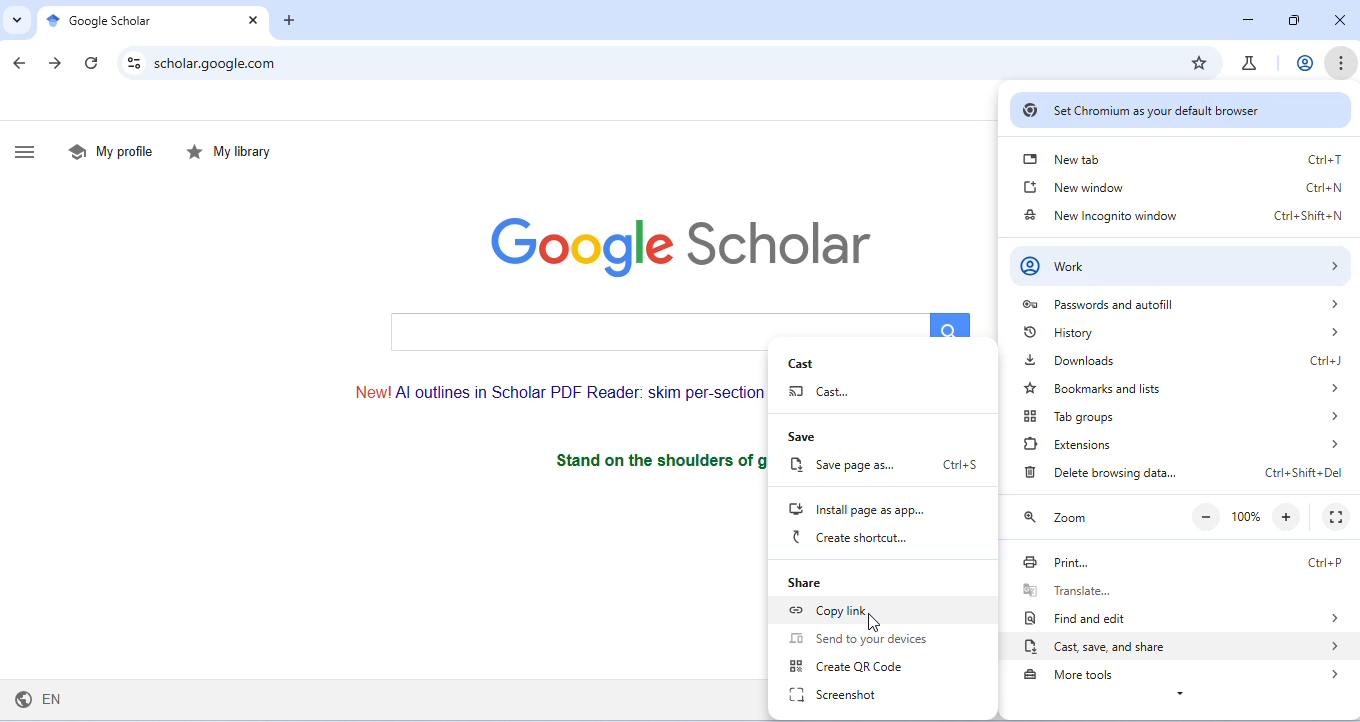 This screenshot has height=722, width=1360. What do you see at coordinates (40, 701) in the screenshot?
I see `english` at bounding box center [40, 701].